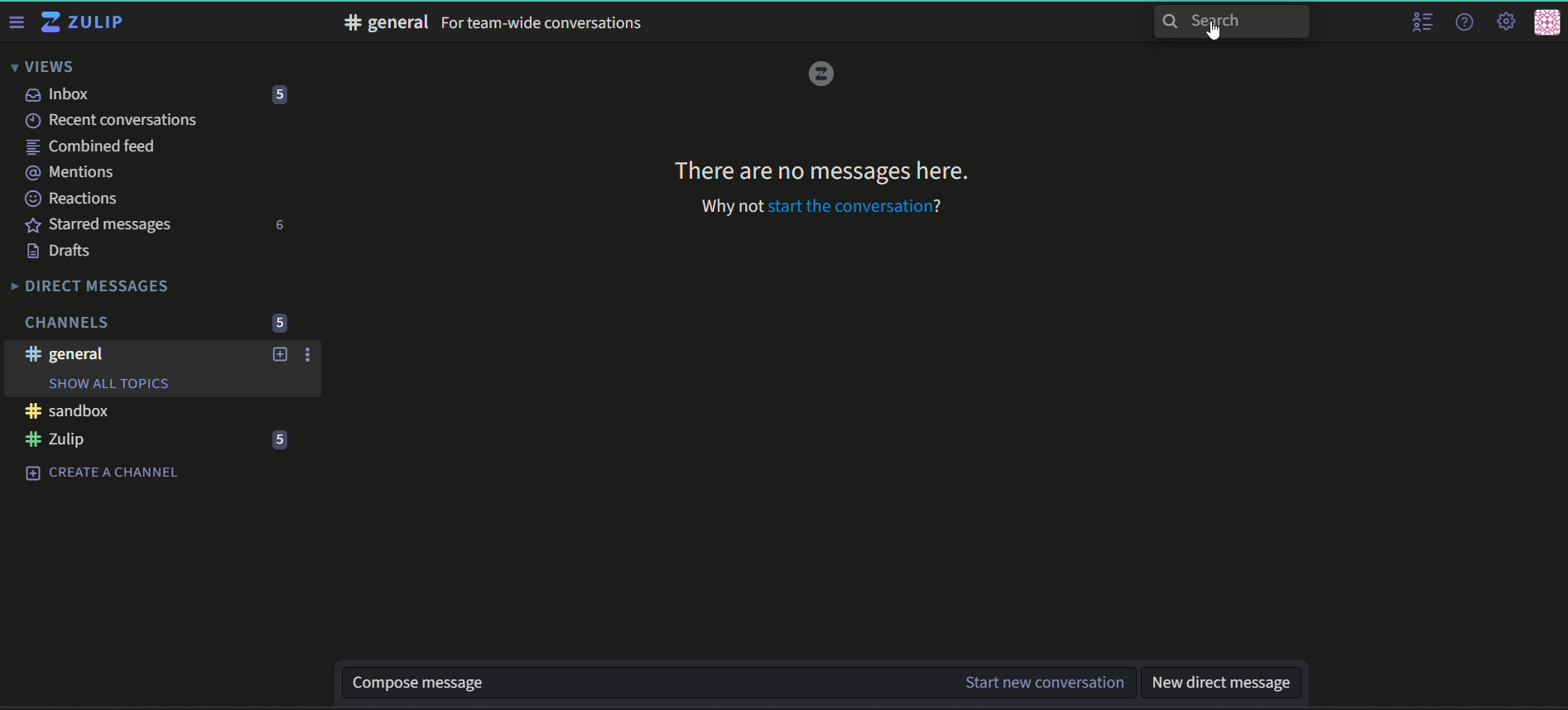  What do you see at coordinates (102, 223) in the screenshot?
I see `Starred messages` at bounding box center [102, 223].